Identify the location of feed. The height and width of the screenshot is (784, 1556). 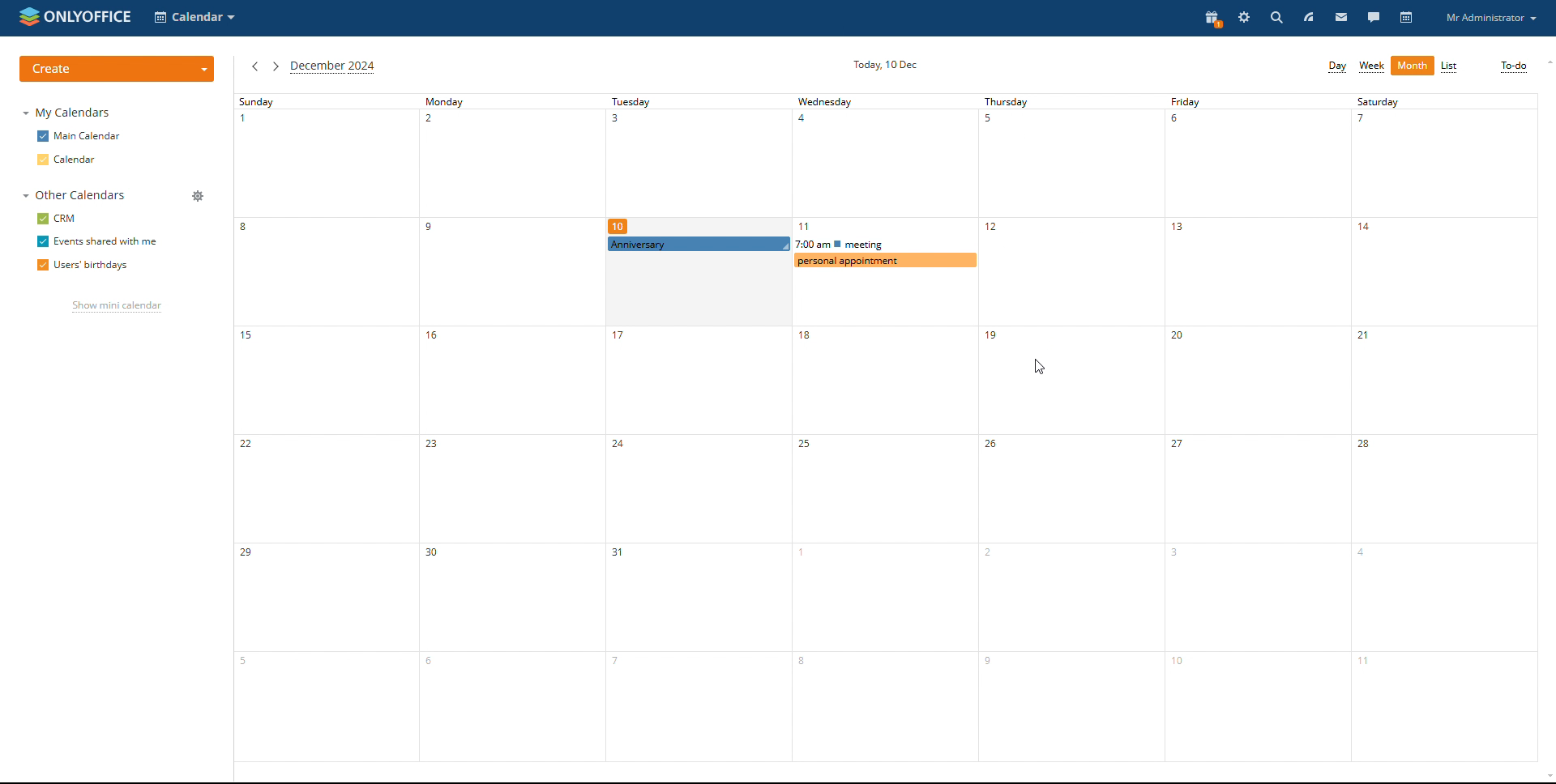
(1307, 19).